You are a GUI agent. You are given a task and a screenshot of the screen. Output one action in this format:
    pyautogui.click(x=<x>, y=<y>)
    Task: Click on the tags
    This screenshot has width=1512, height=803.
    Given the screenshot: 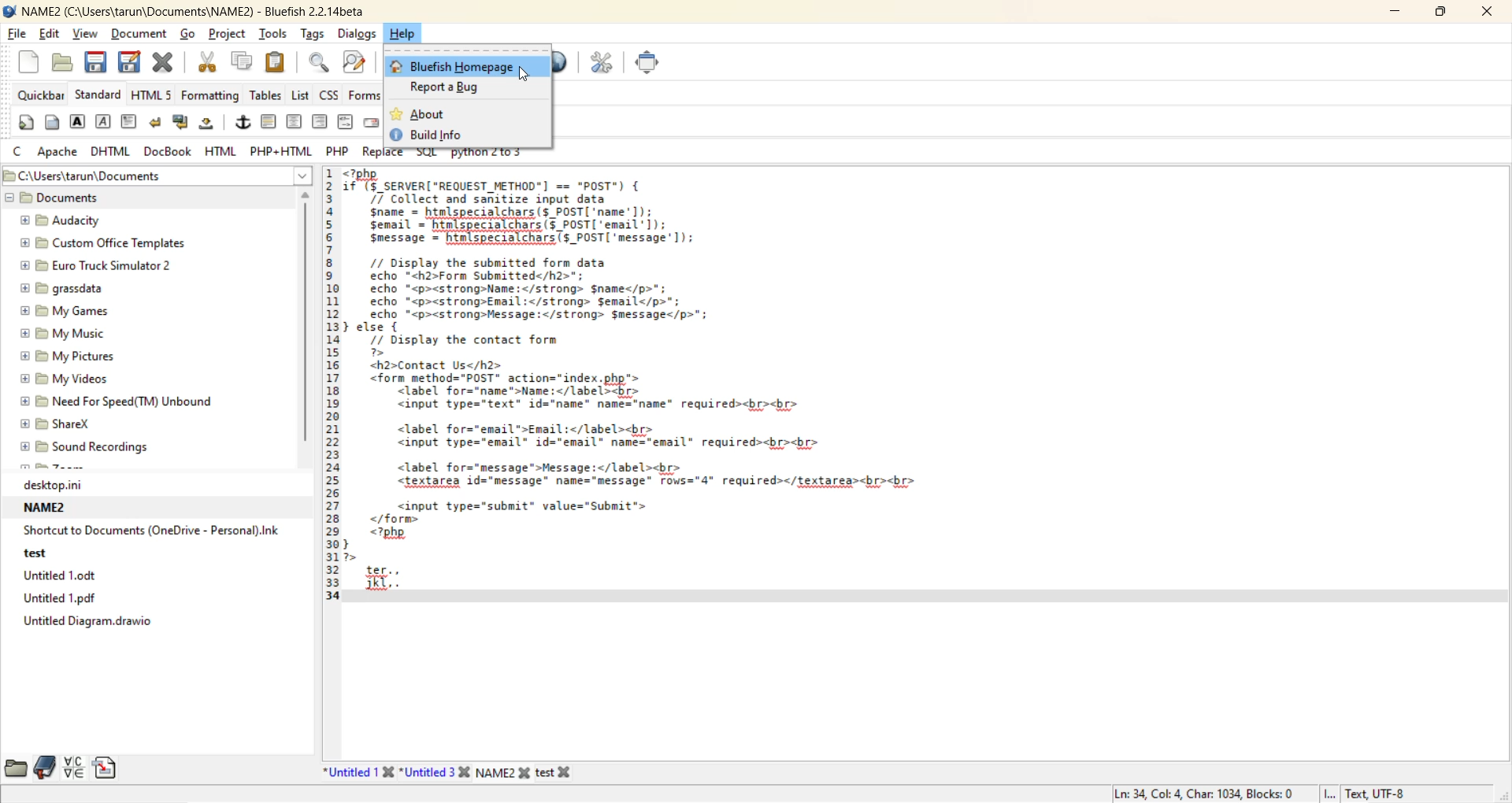 What is the action you would take?
    pyautogui.click(x=316, y=35)
    